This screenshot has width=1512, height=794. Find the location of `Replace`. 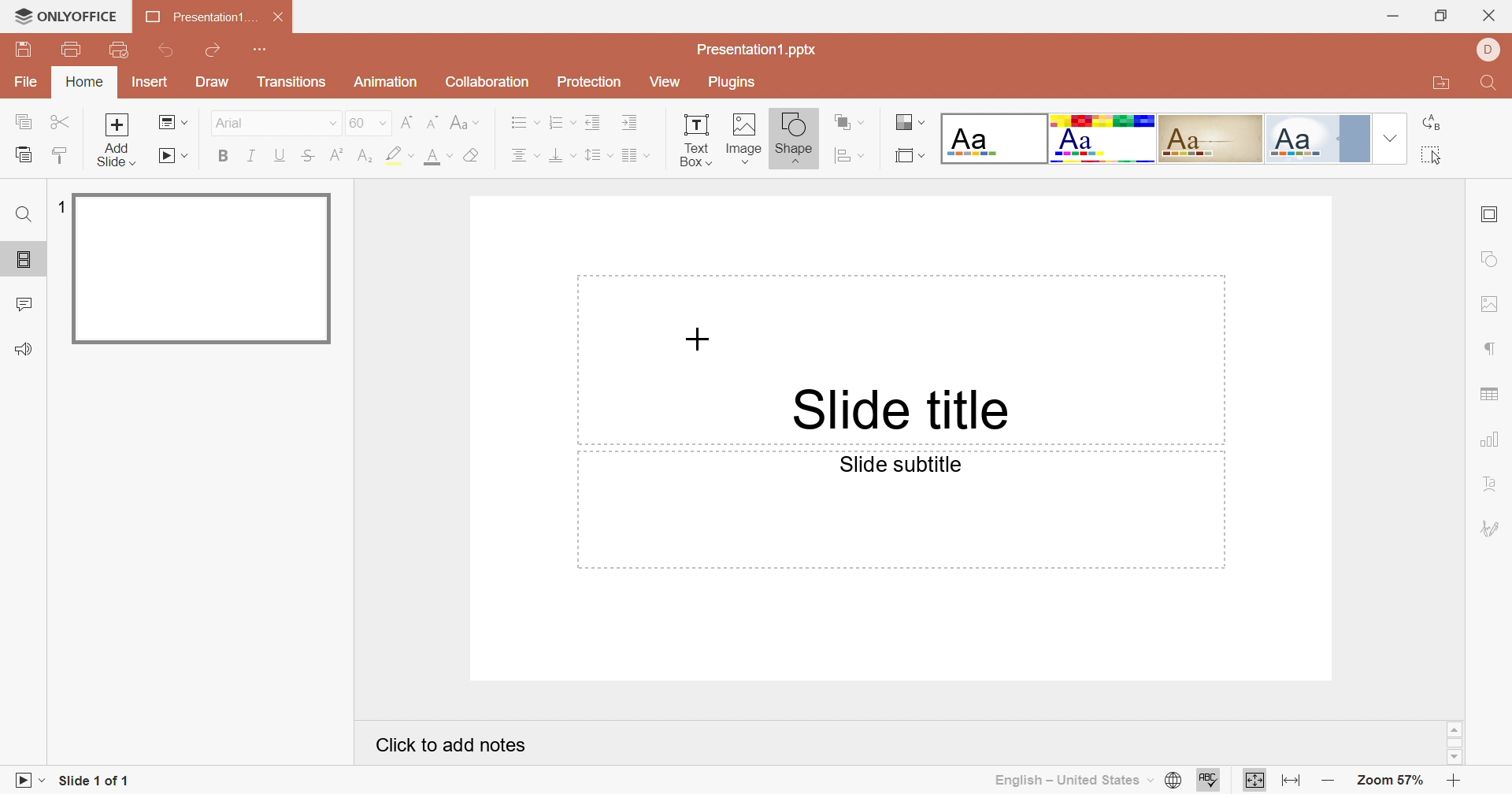

Replace is located at coordinates (1431, 122).